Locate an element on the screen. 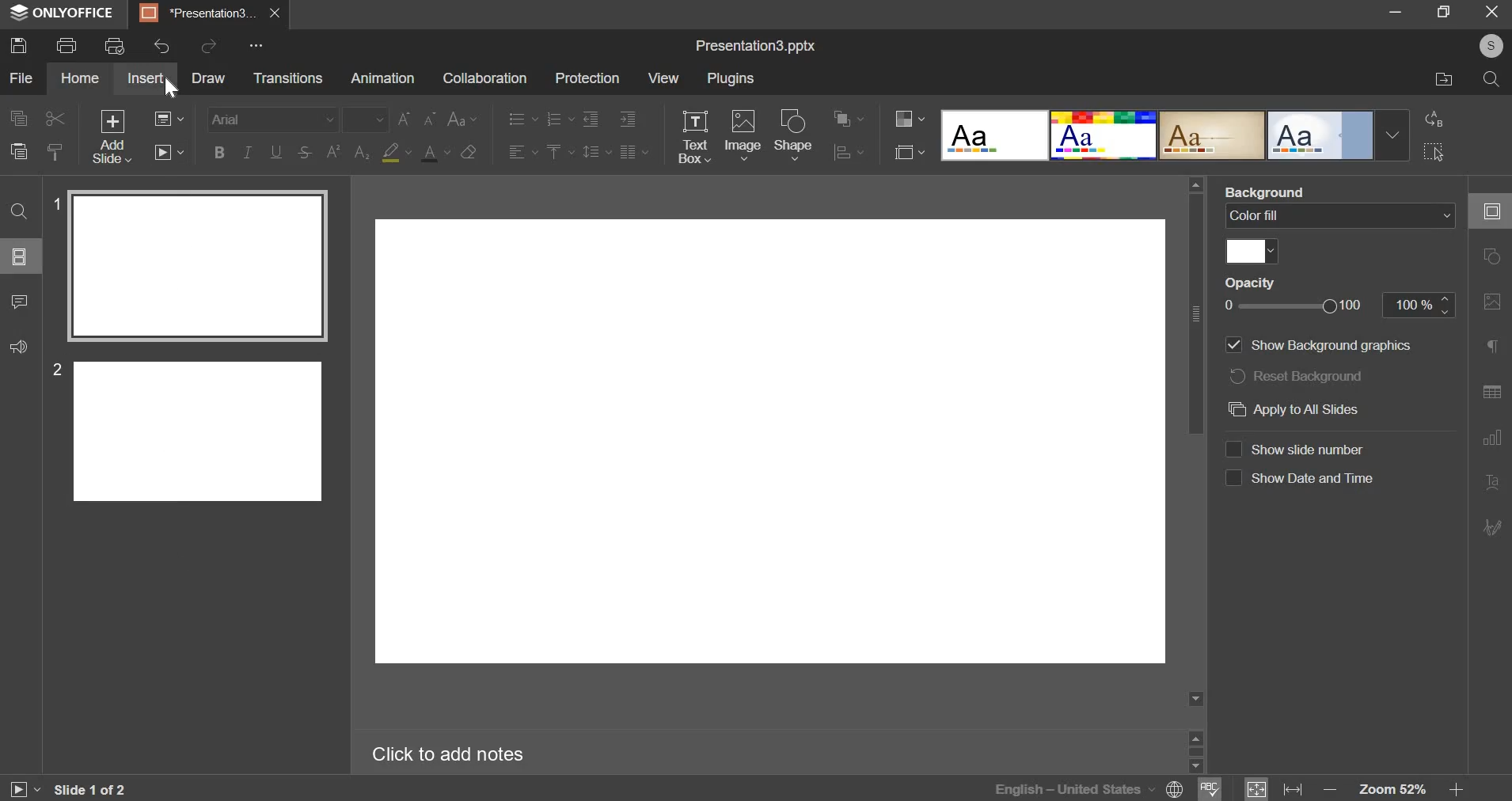 This screenshot has height=801, width=1512. customize quick access is located at coordinates (256, 45).